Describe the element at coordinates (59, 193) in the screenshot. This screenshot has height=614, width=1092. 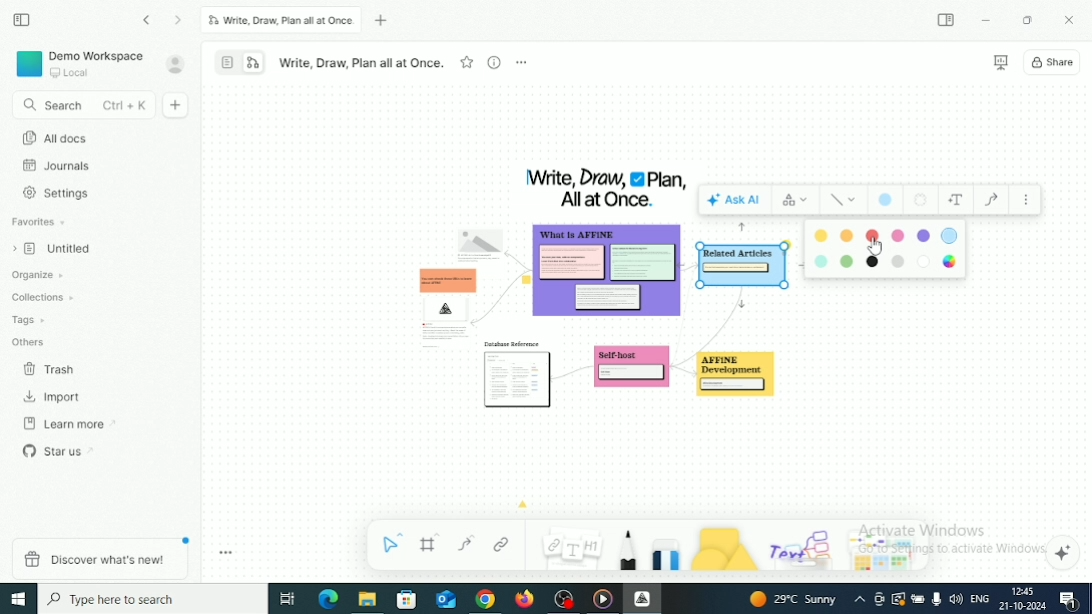
I see `Settings` at that location.